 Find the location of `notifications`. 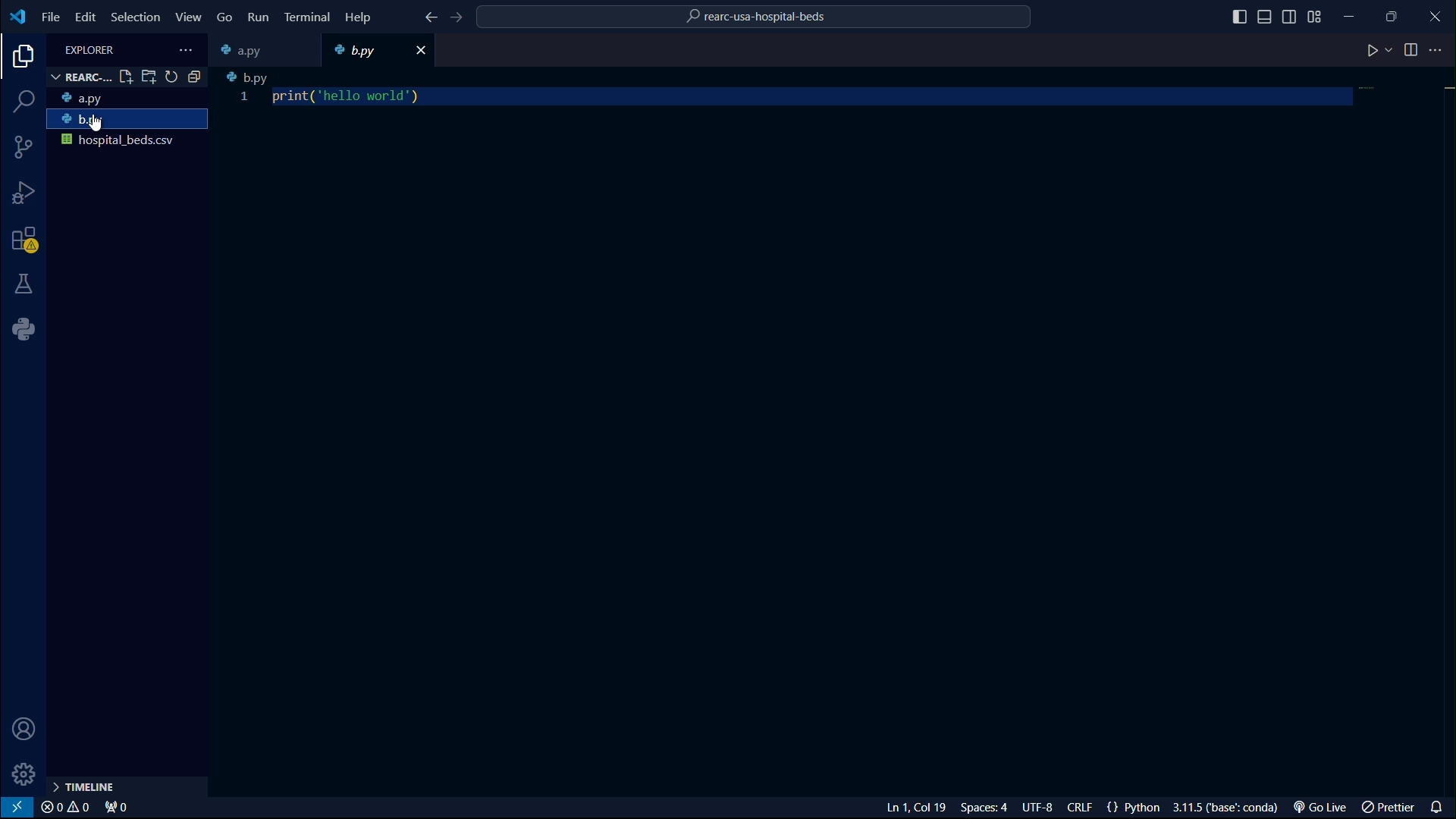

notifications is located at coordinates (1439, 805).